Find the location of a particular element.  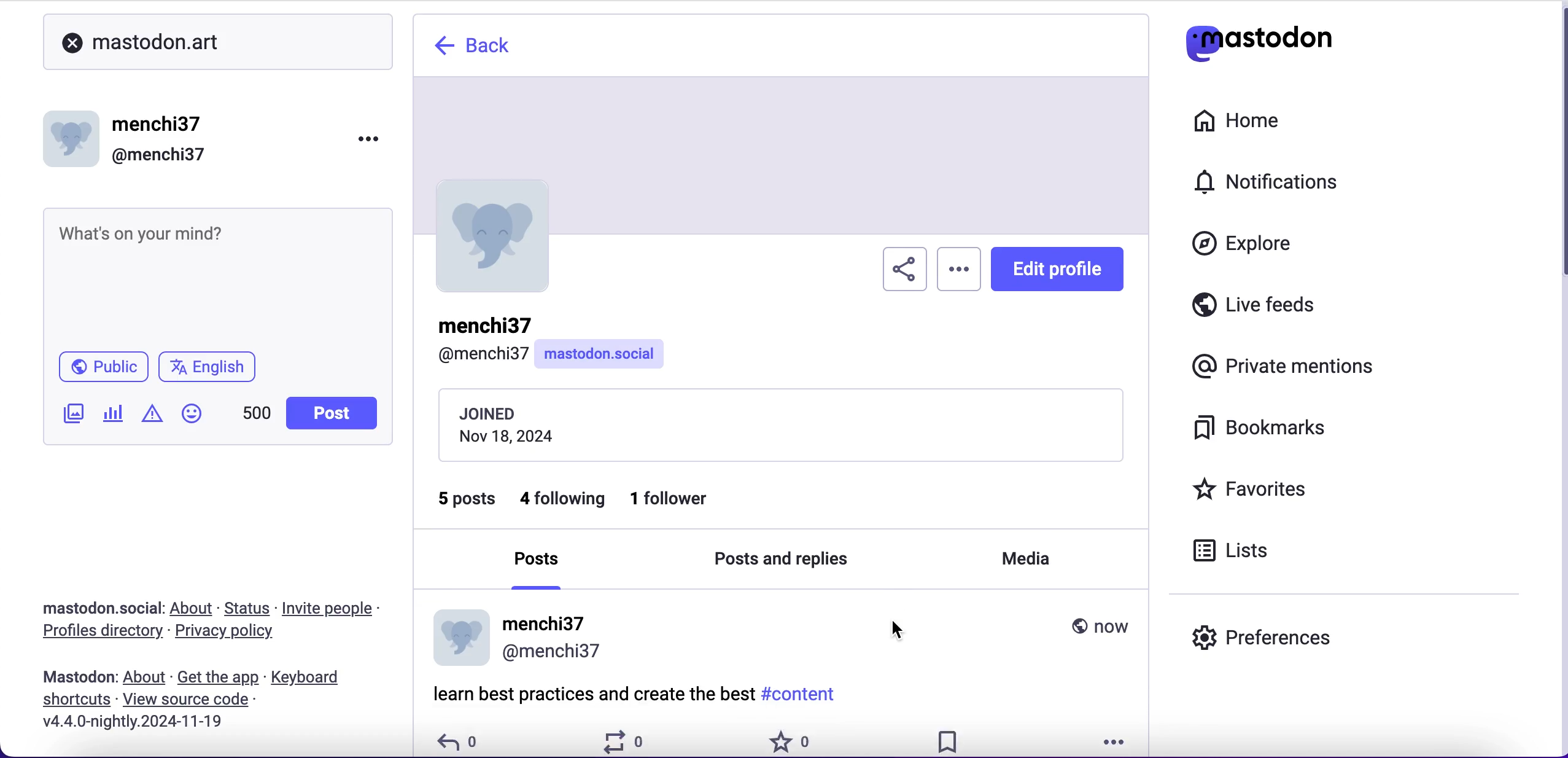

privacy policy is located at coordinates (230, 634).